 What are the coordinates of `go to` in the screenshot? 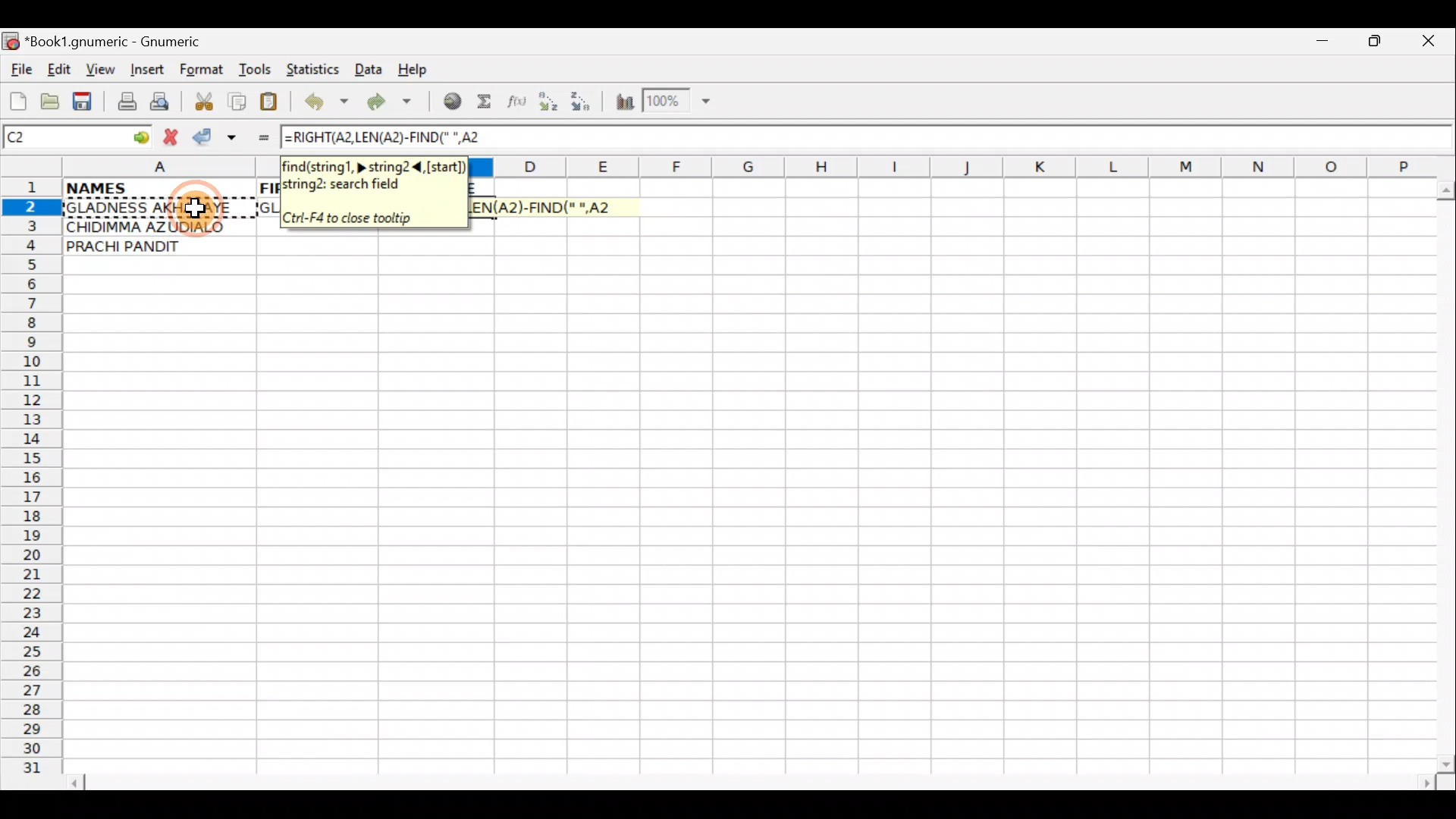 It's located at (140, 135).